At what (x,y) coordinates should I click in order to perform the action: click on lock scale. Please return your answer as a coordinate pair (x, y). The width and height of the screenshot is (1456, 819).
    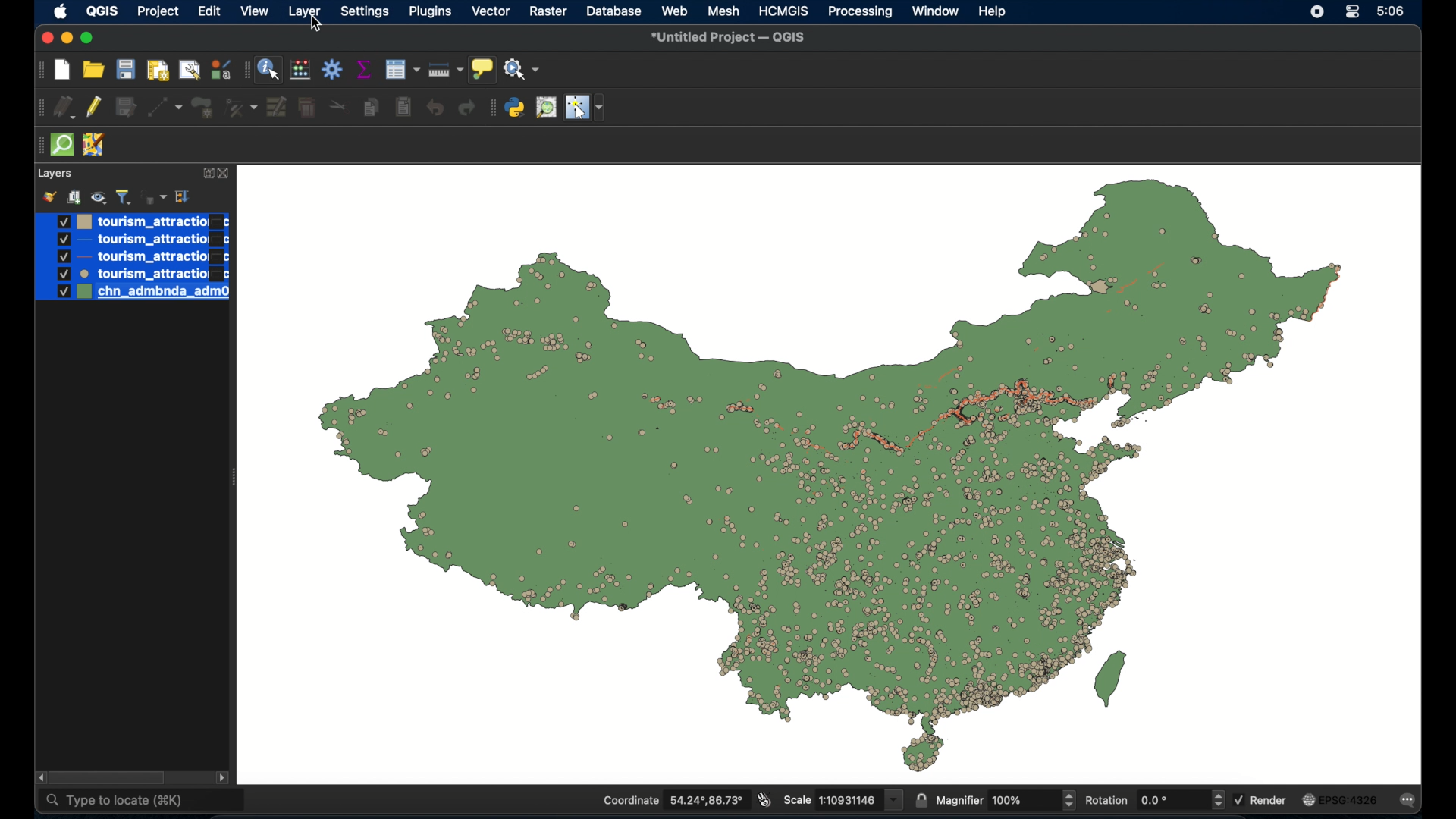
    Looking at the image, I should click on (921, 798).